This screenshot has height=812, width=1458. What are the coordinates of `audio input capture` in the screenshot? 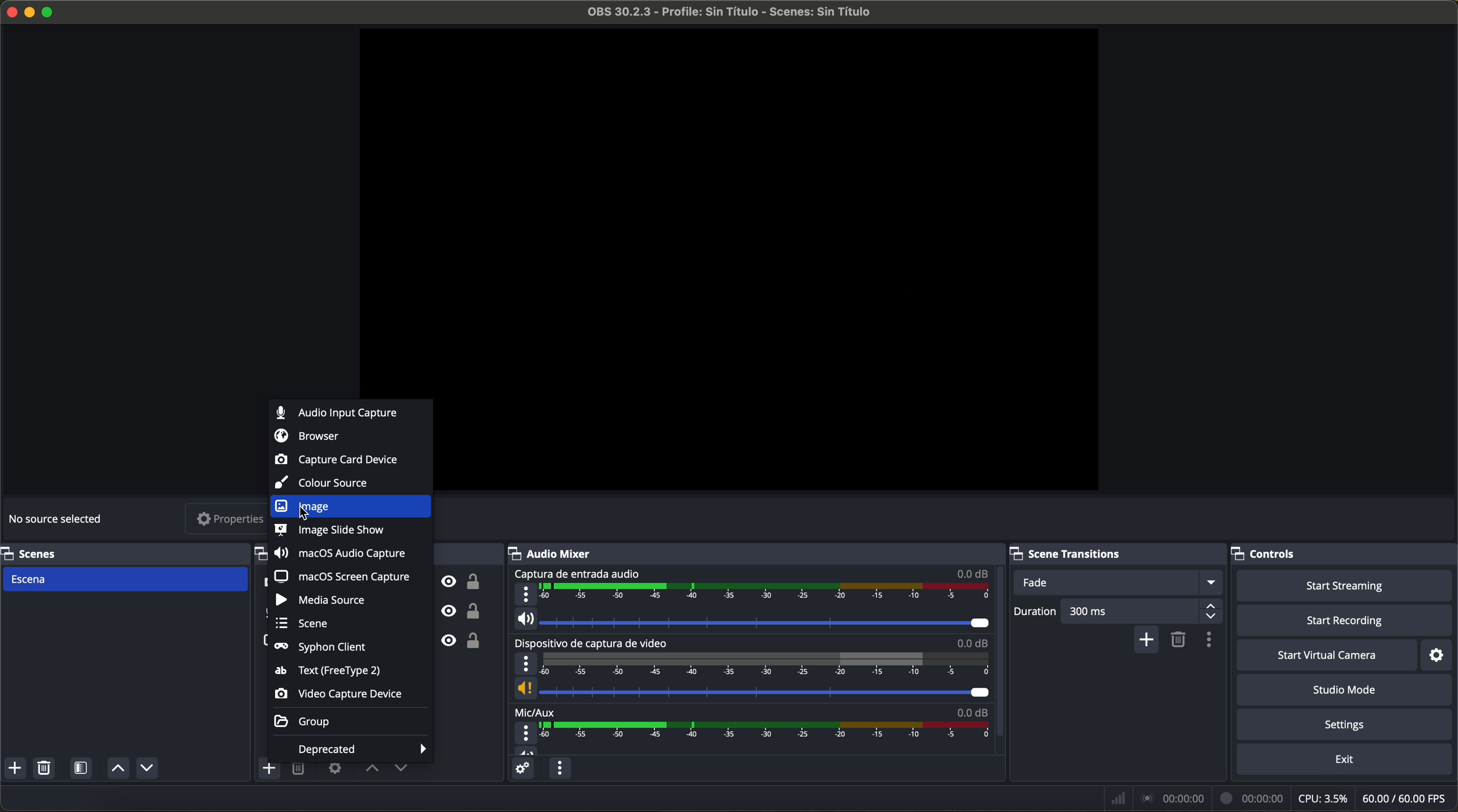 It's located at (576, 574).